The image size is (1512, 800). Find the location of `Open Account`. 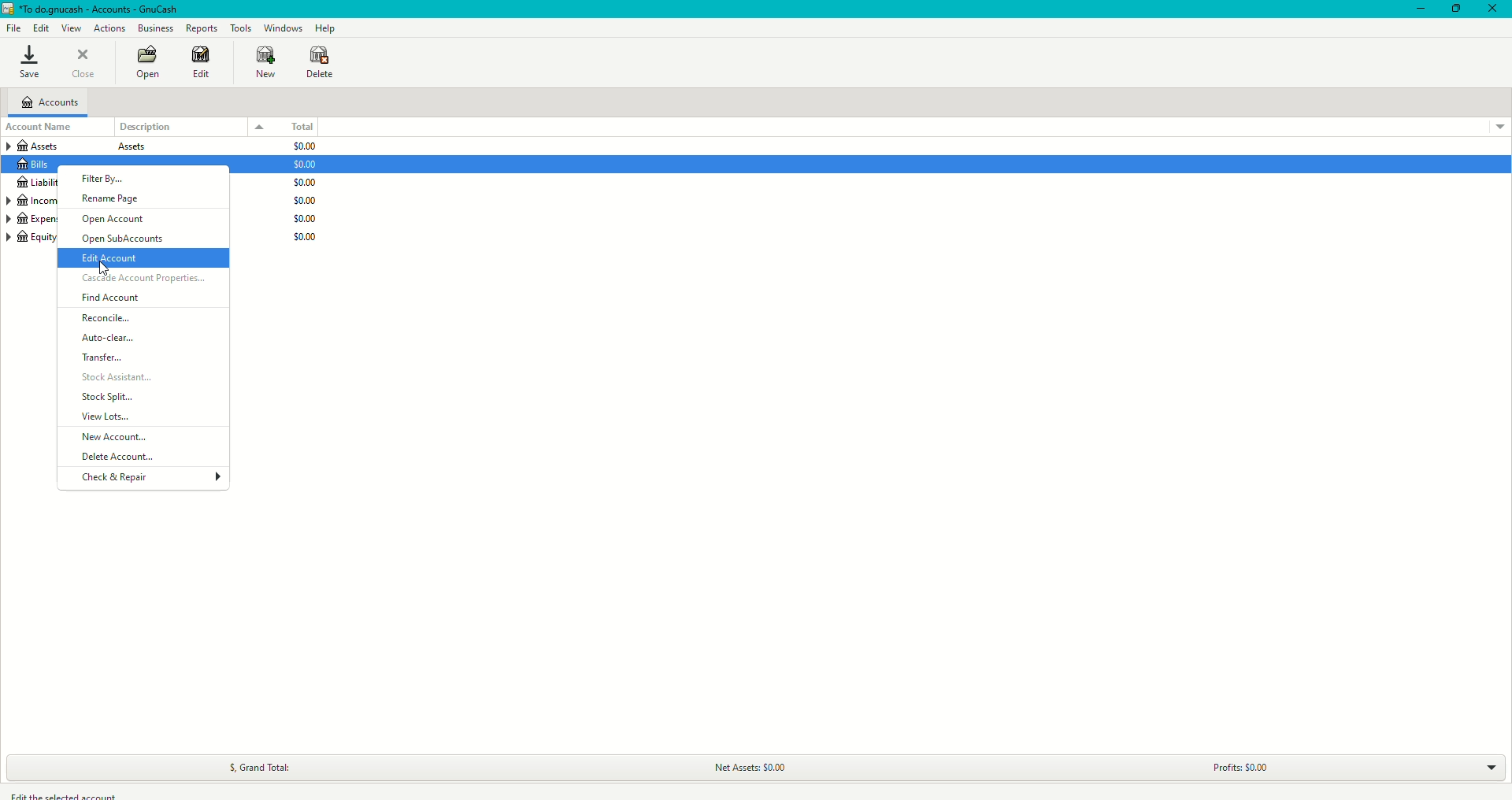

Open Account is located at coordinates (116, 220).